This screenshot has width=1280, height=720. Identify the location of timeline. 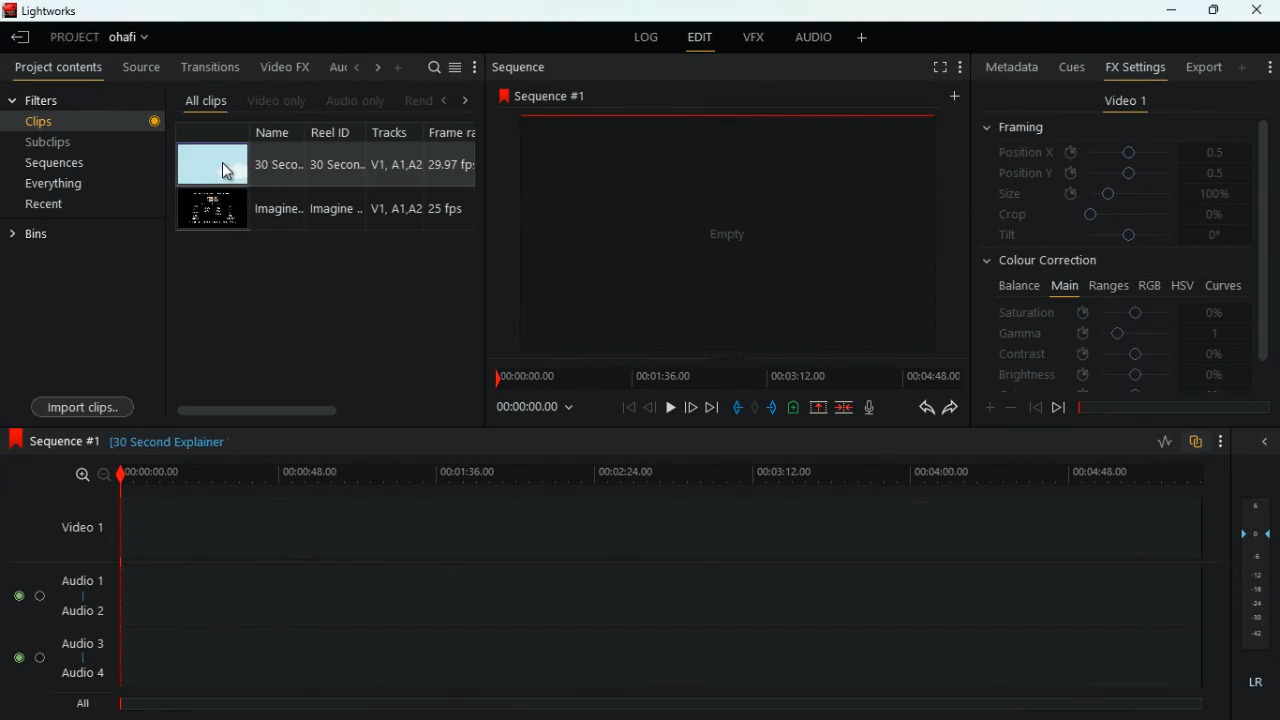
(655, 474).